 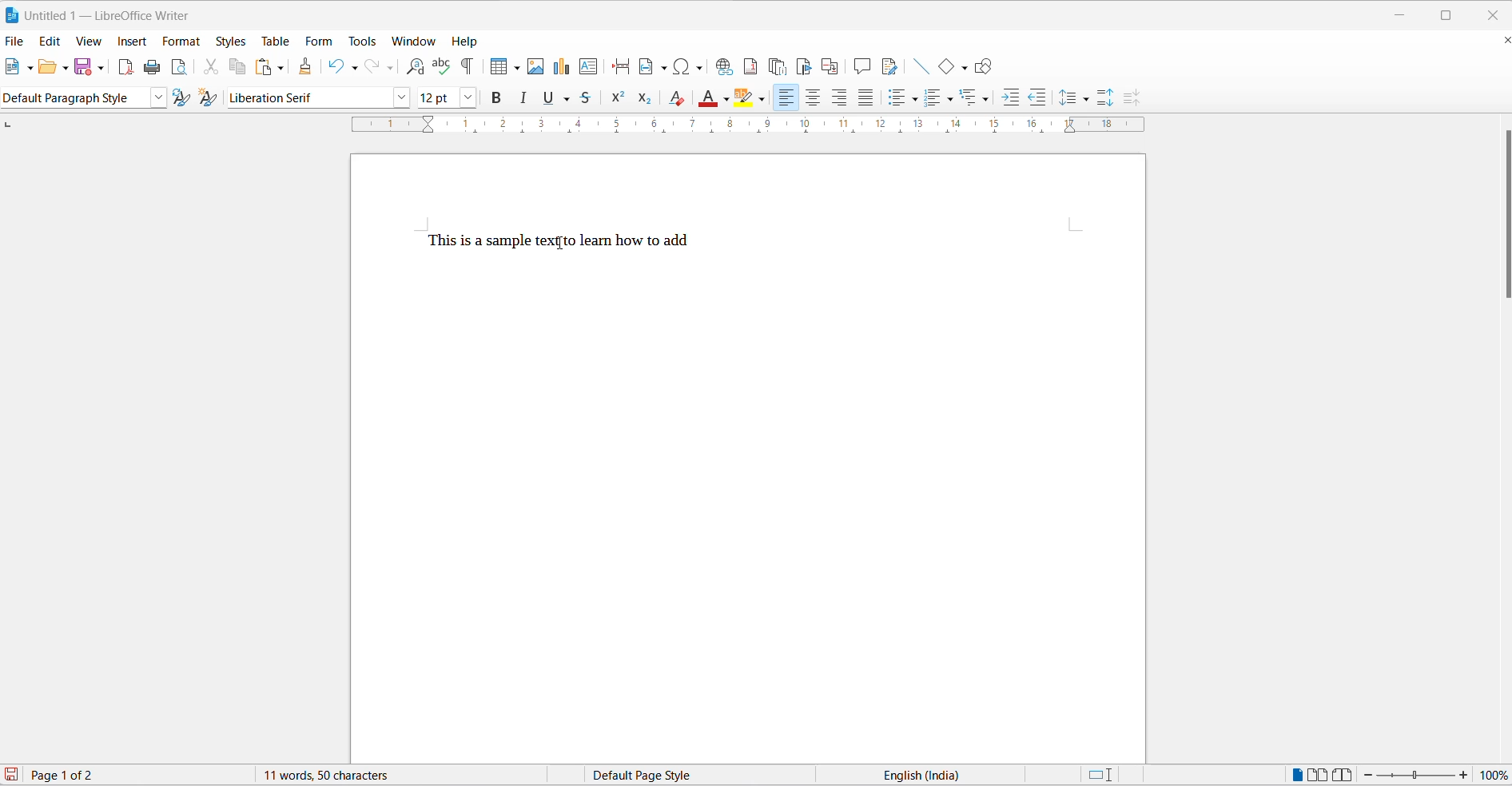 What do you see at coordinates (779, 64) in the screenshot?
I see `insert endnote` at bounding box center [779, 64].